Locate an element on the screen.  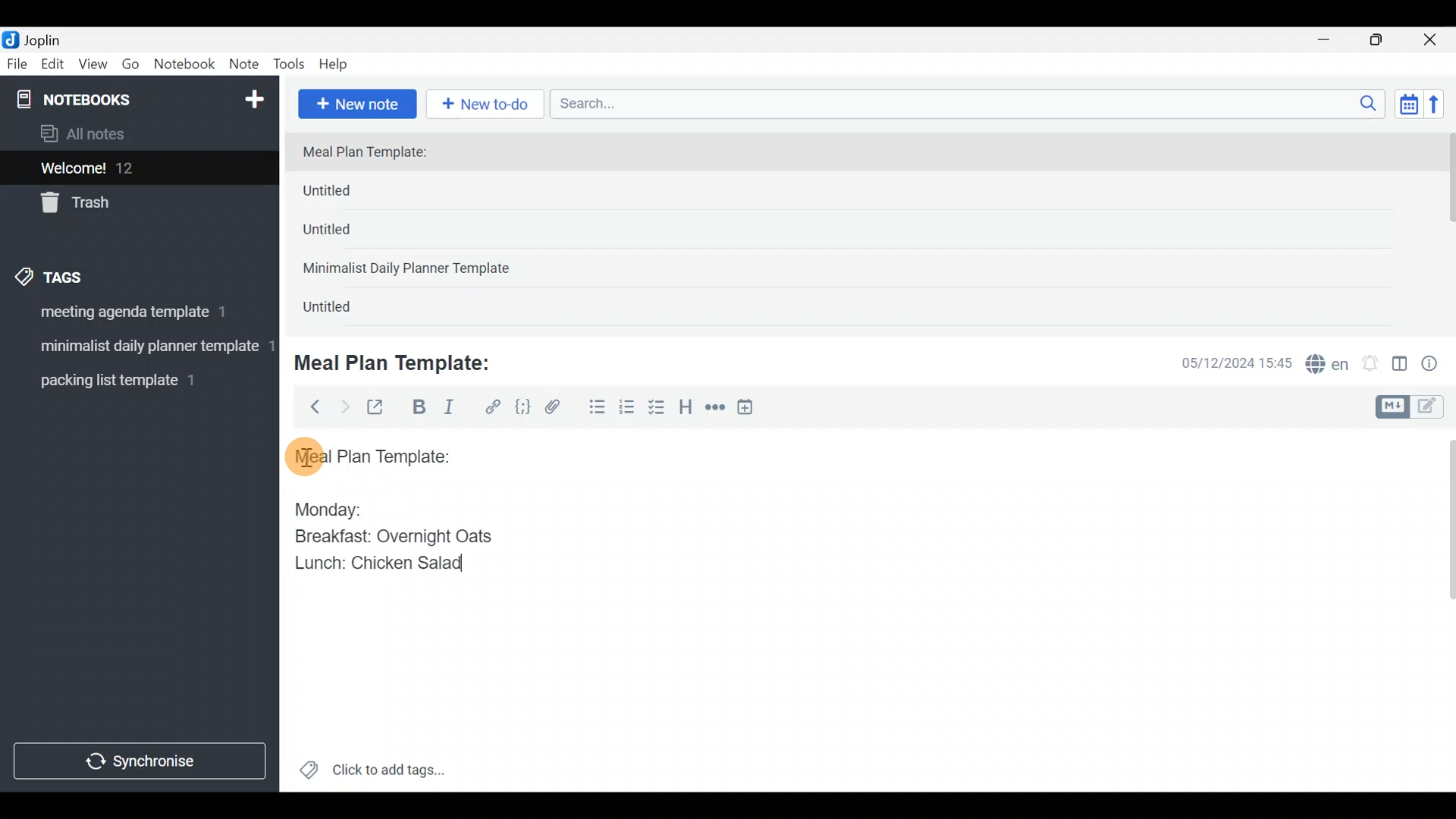
Untitled is located at coordinates (347, 234).